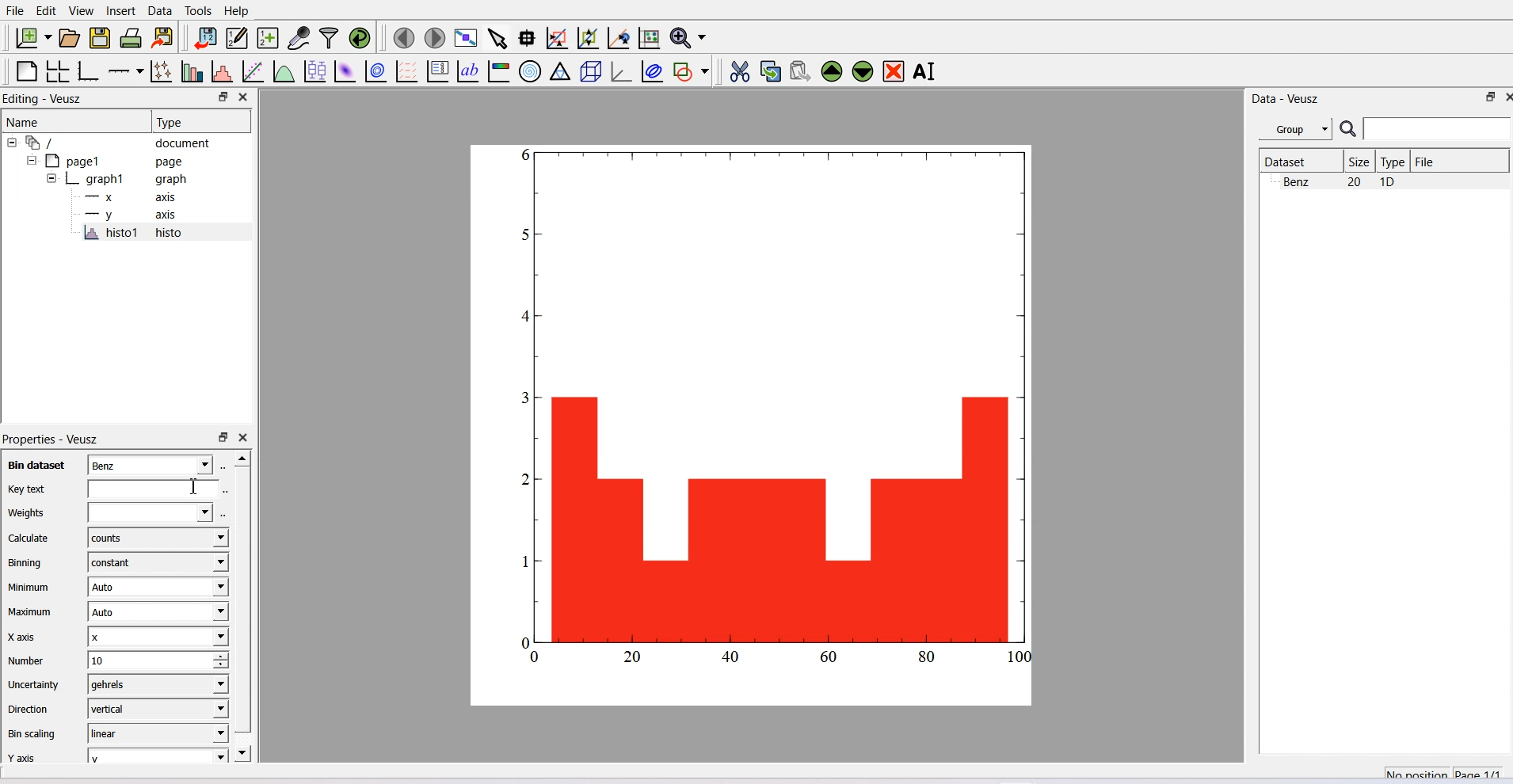  I want to click on Editing - Veusz, so click(44, 97).